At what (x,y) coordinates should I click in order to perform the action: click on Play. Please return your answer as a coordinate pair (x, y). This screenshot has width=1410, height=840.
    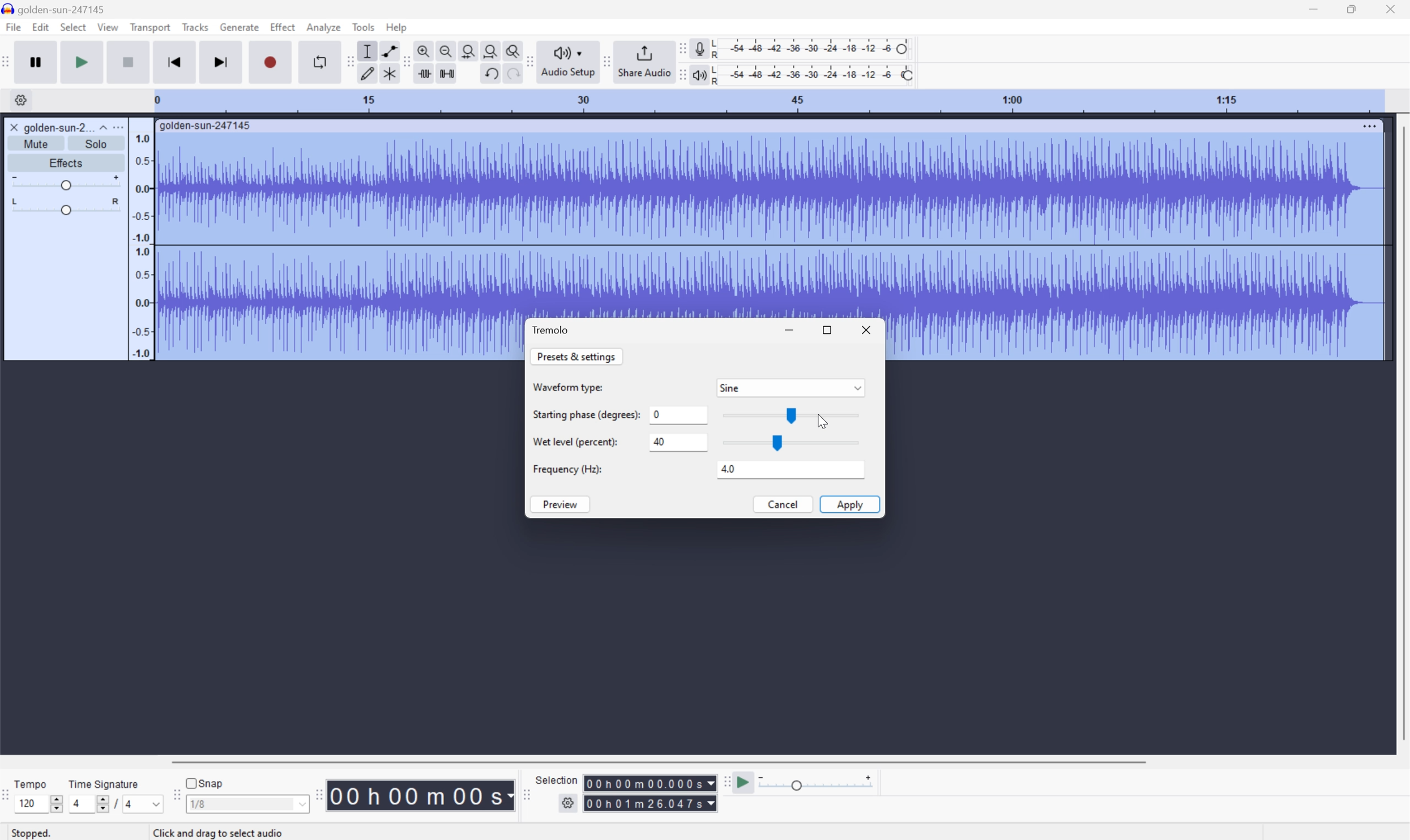
    Looking at the image, I should click on (83, 61).